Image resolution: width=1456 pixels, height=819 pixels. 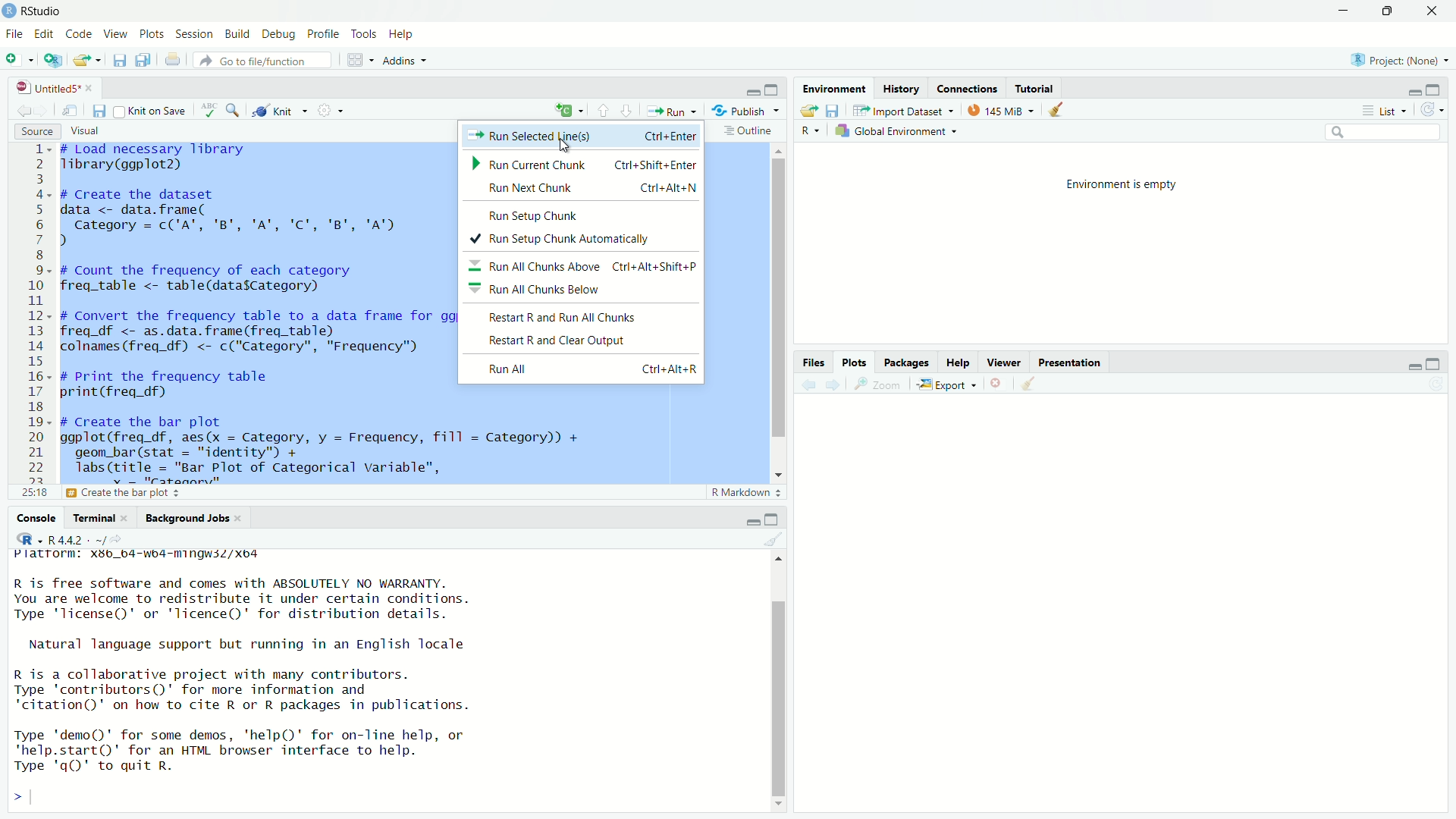 I want to click on outline, so click(x=748, y=130).